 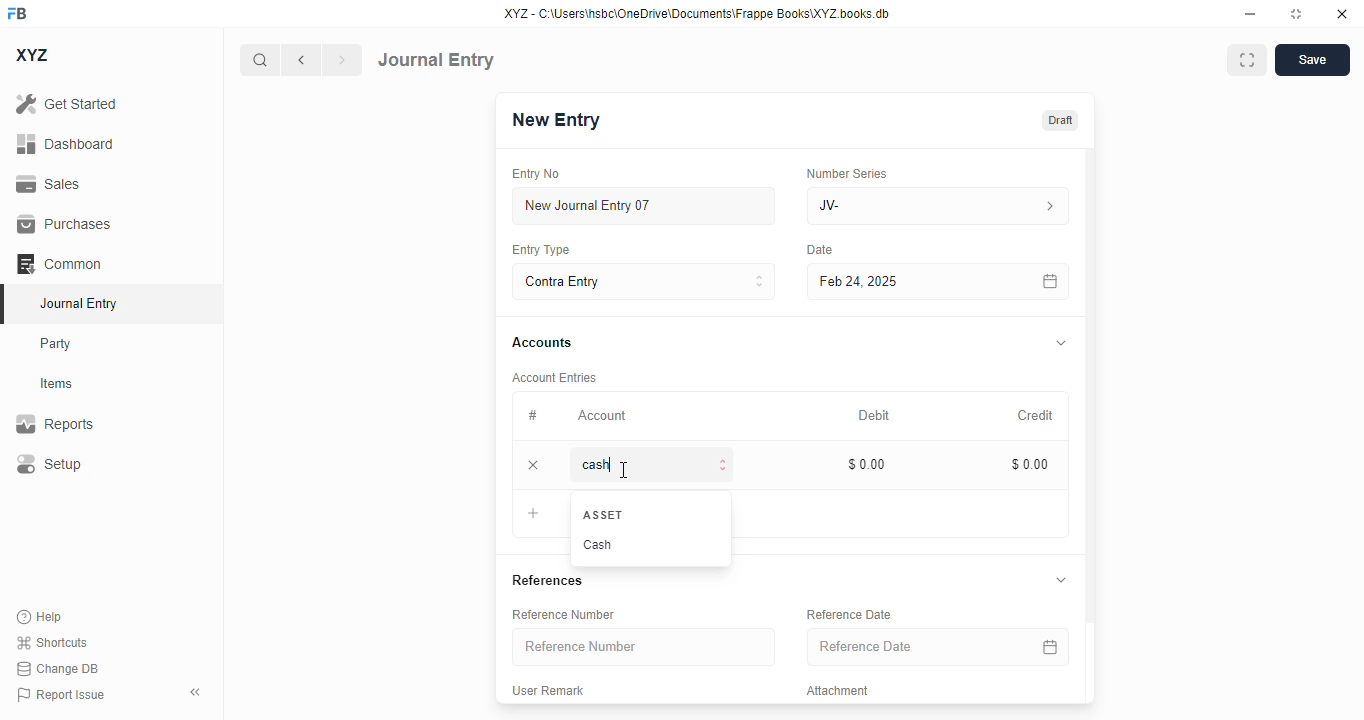 I want to click on party, so click(x=58, y=344).